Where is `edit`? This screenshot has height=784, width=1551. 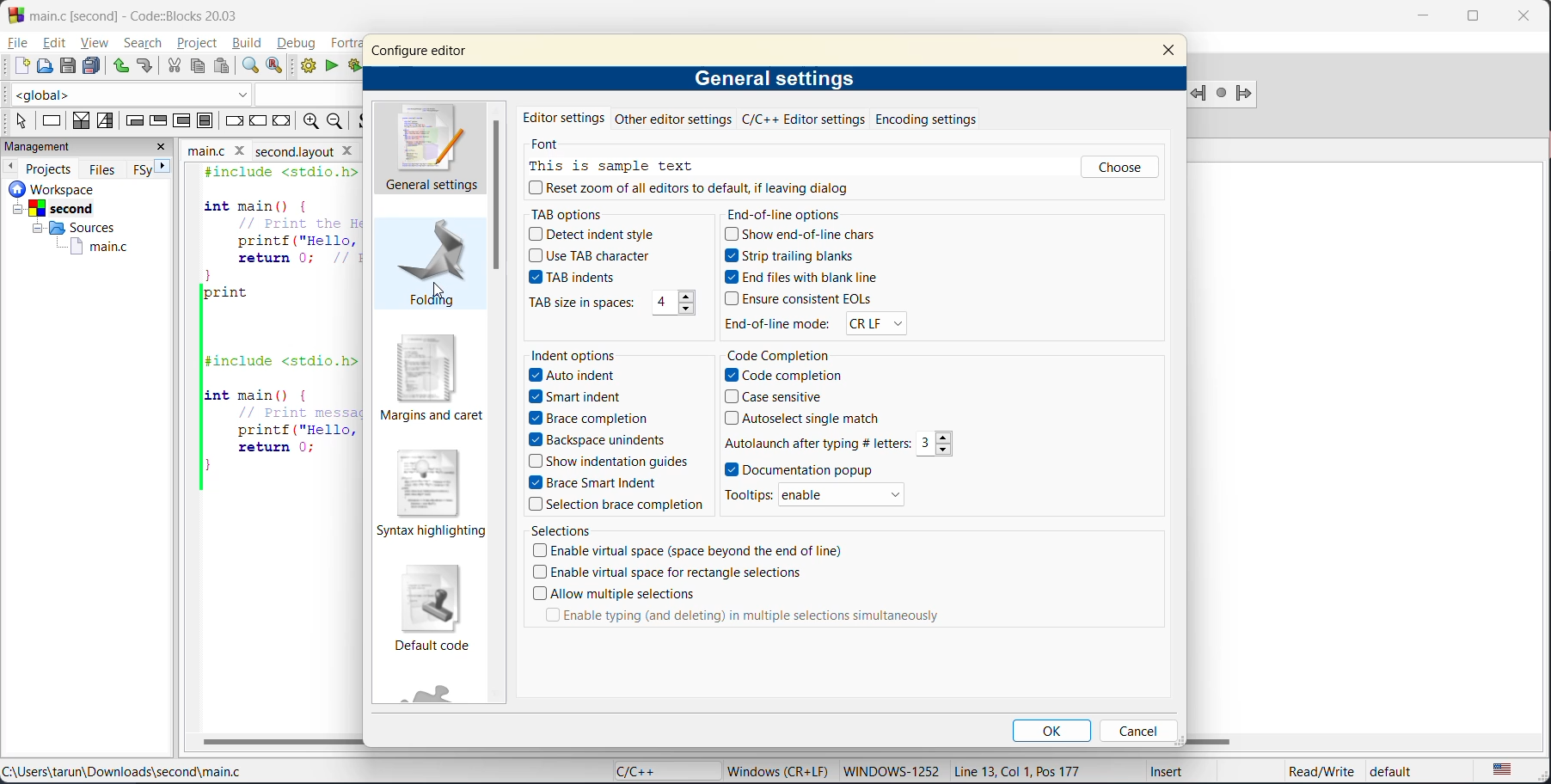 edit is located at coordinates (57, 45).